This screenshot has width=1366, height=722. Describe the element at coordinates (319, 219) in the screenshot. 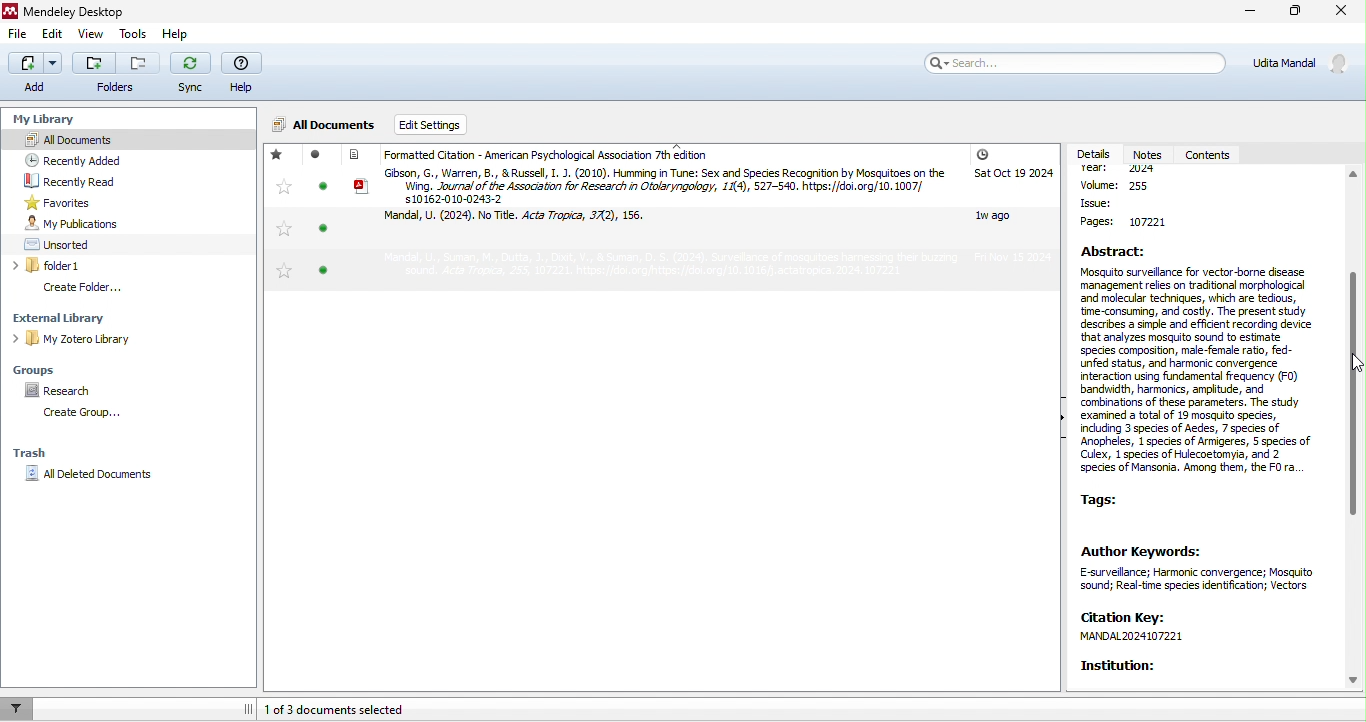

I see `read/unread` at that location.